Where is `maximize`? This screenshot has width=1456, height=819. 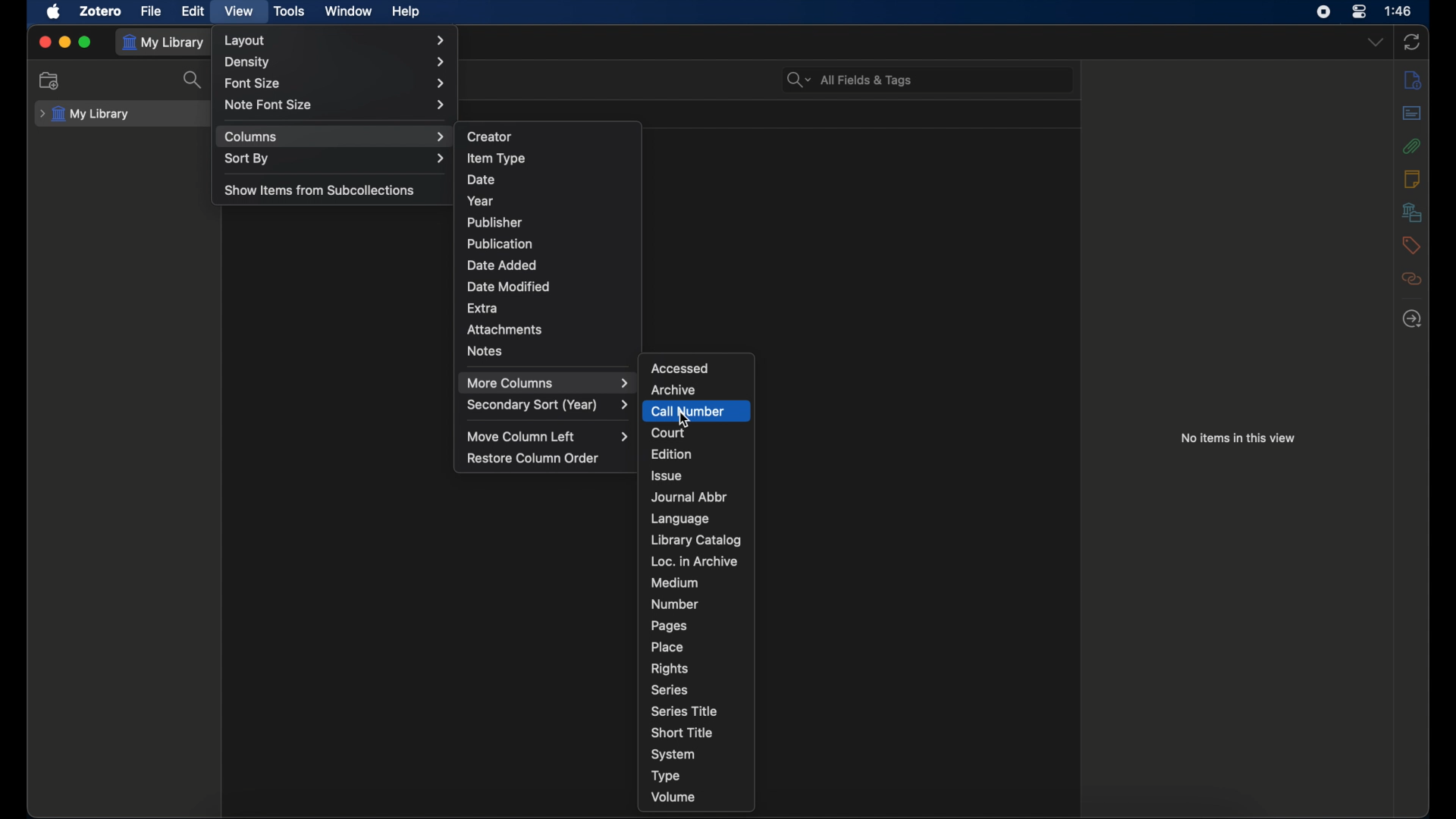
maximize is located at coordinates (86, 42).